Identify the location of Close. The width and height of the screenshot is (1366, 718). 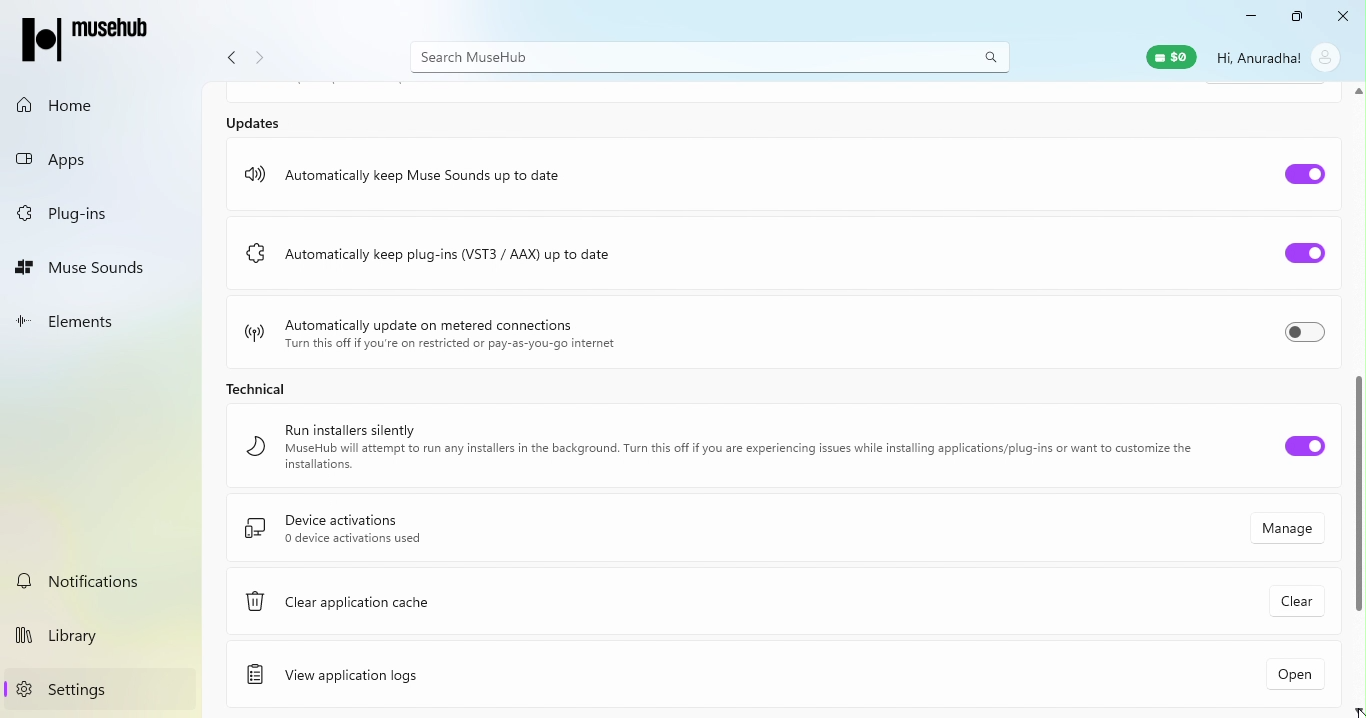
(1339, 17).